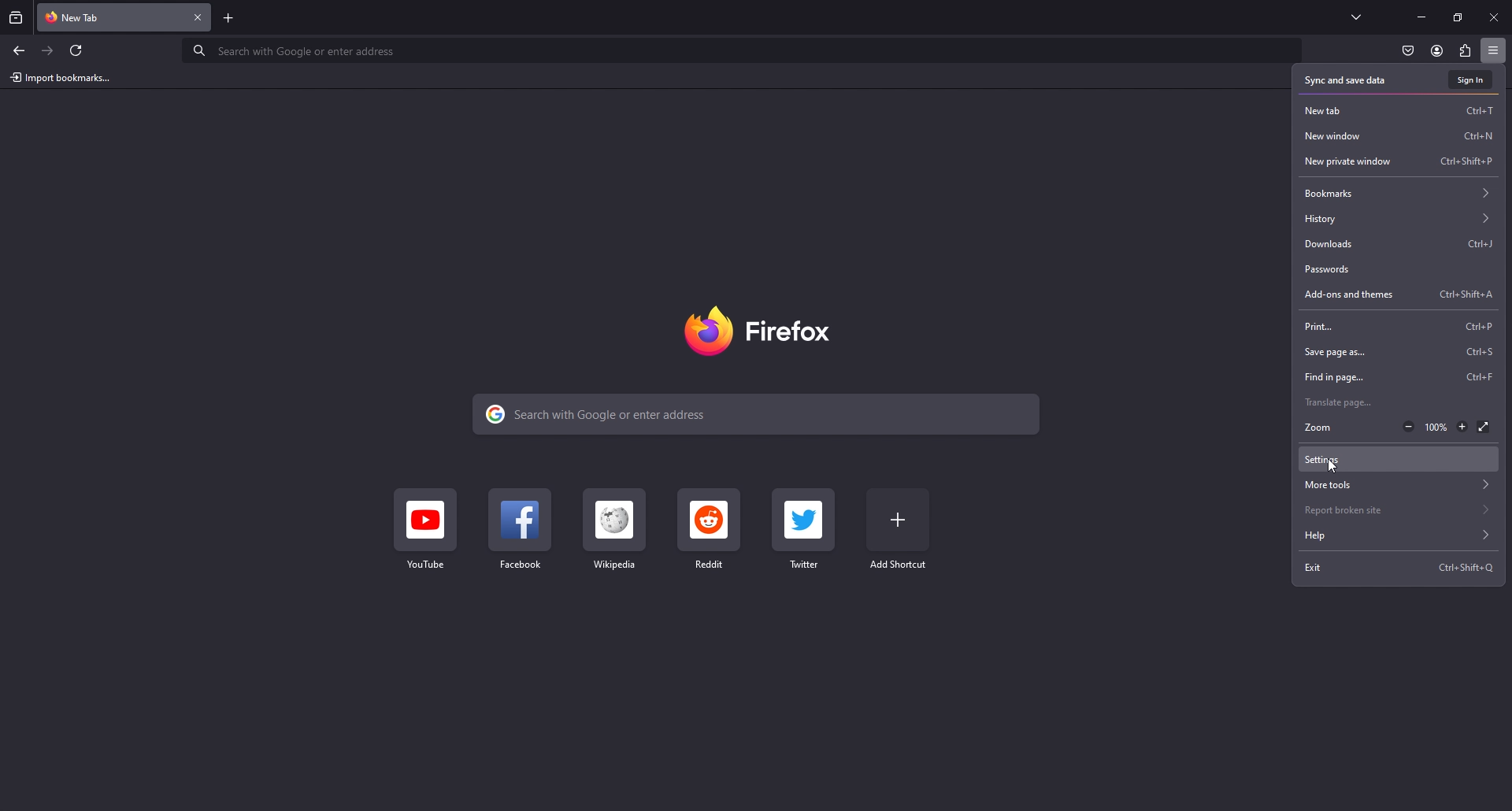 Image resolution: width=1512 pixels, height=811 pixels. What do you see at coordinates (1466, 50) in the screenshot?
I see `extension` at bounding box center [1466, 50].